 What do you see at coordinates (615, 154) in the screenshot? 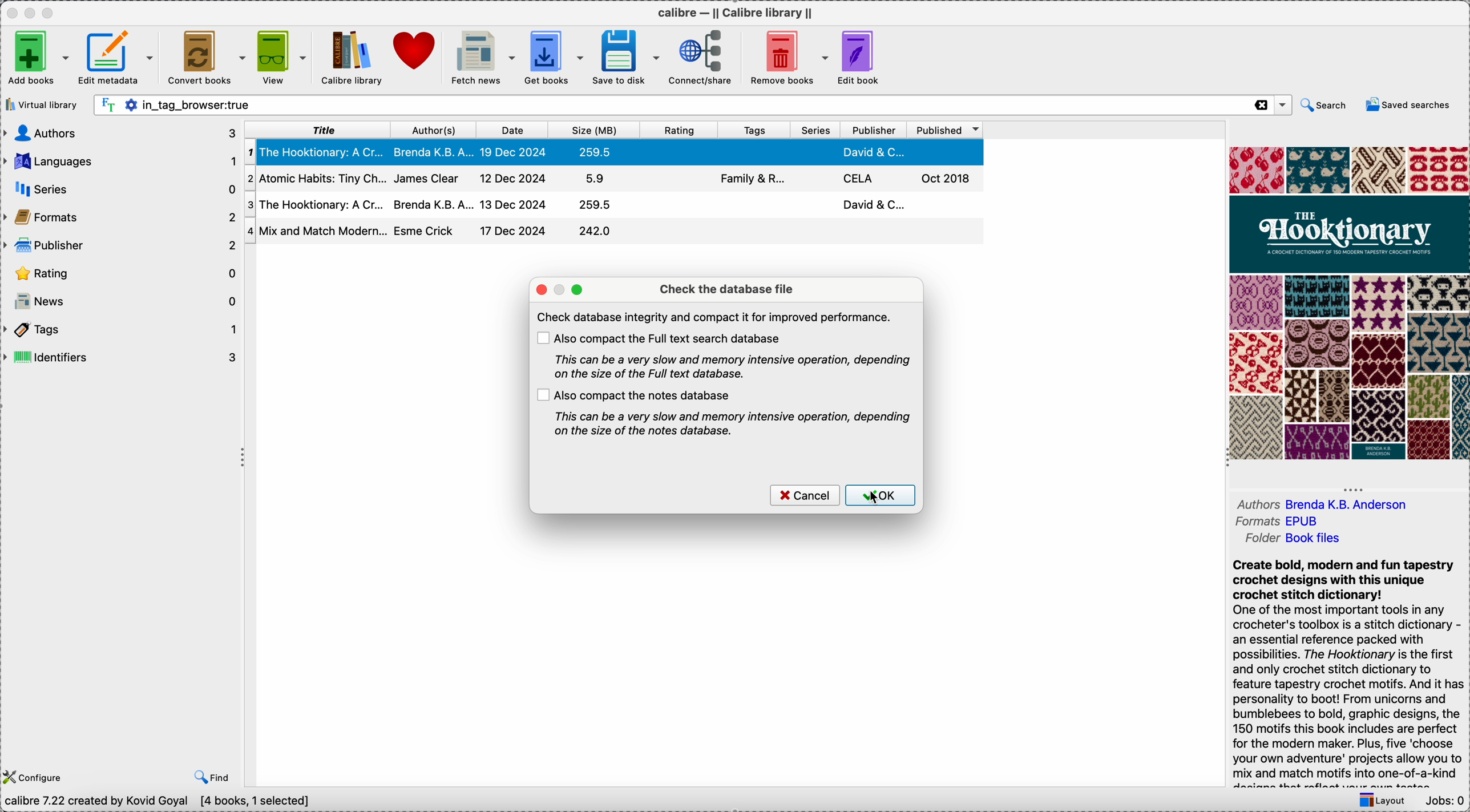
I see `first book` at bounding box center [615, 154].